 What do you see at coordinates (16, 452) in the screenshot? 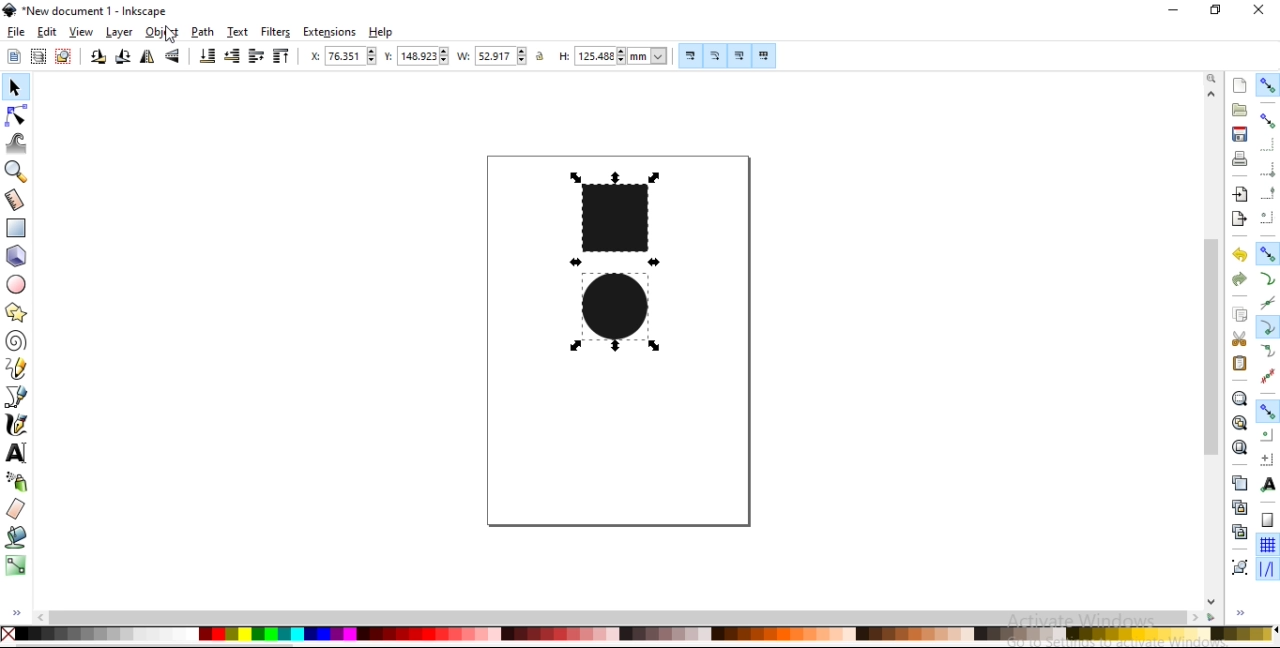
I see `create and edit text objects` at bounding box center [16, 452].